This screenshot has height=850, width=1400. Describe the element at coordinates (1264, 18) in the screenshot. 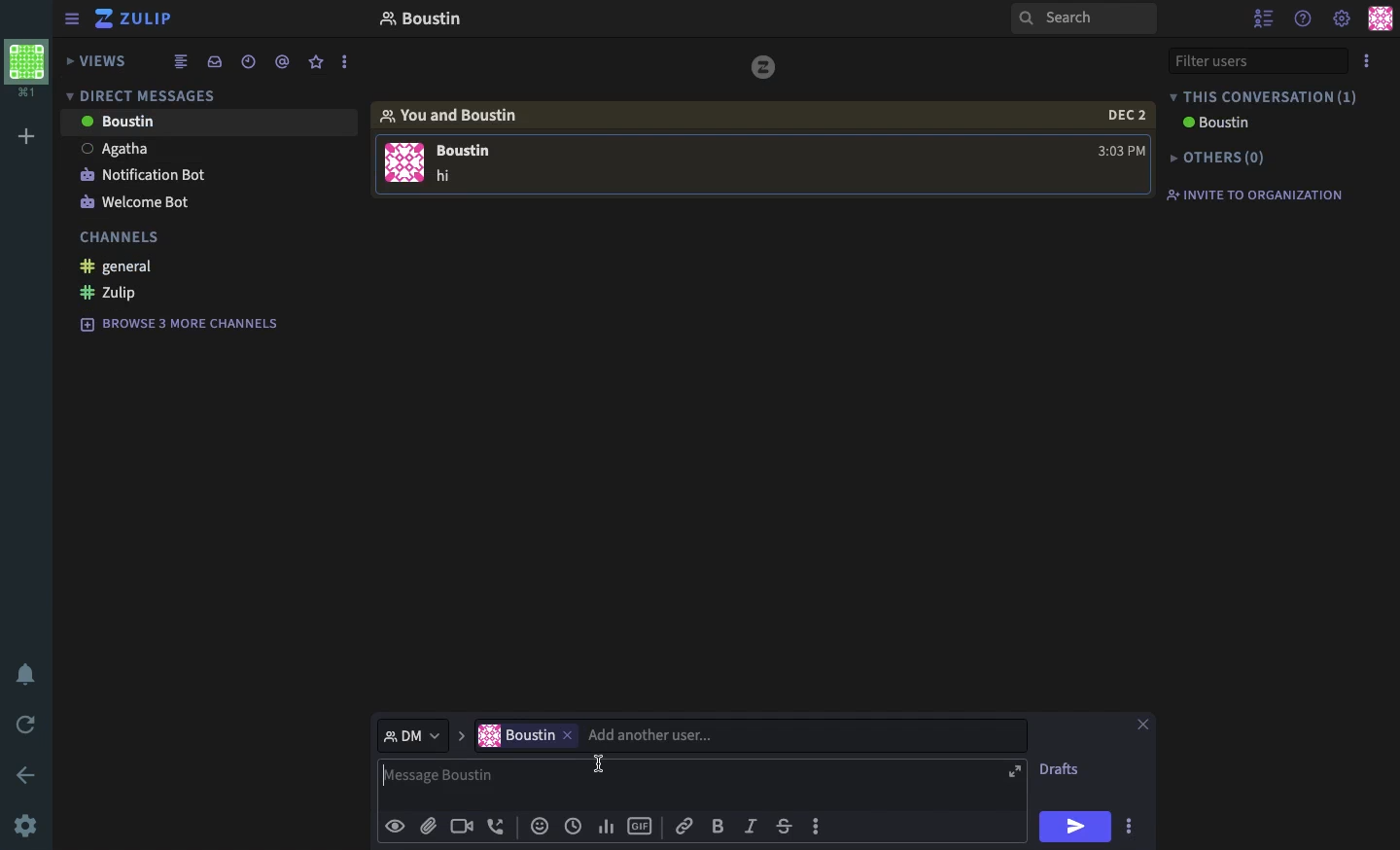

I see `hide user list` at that location.